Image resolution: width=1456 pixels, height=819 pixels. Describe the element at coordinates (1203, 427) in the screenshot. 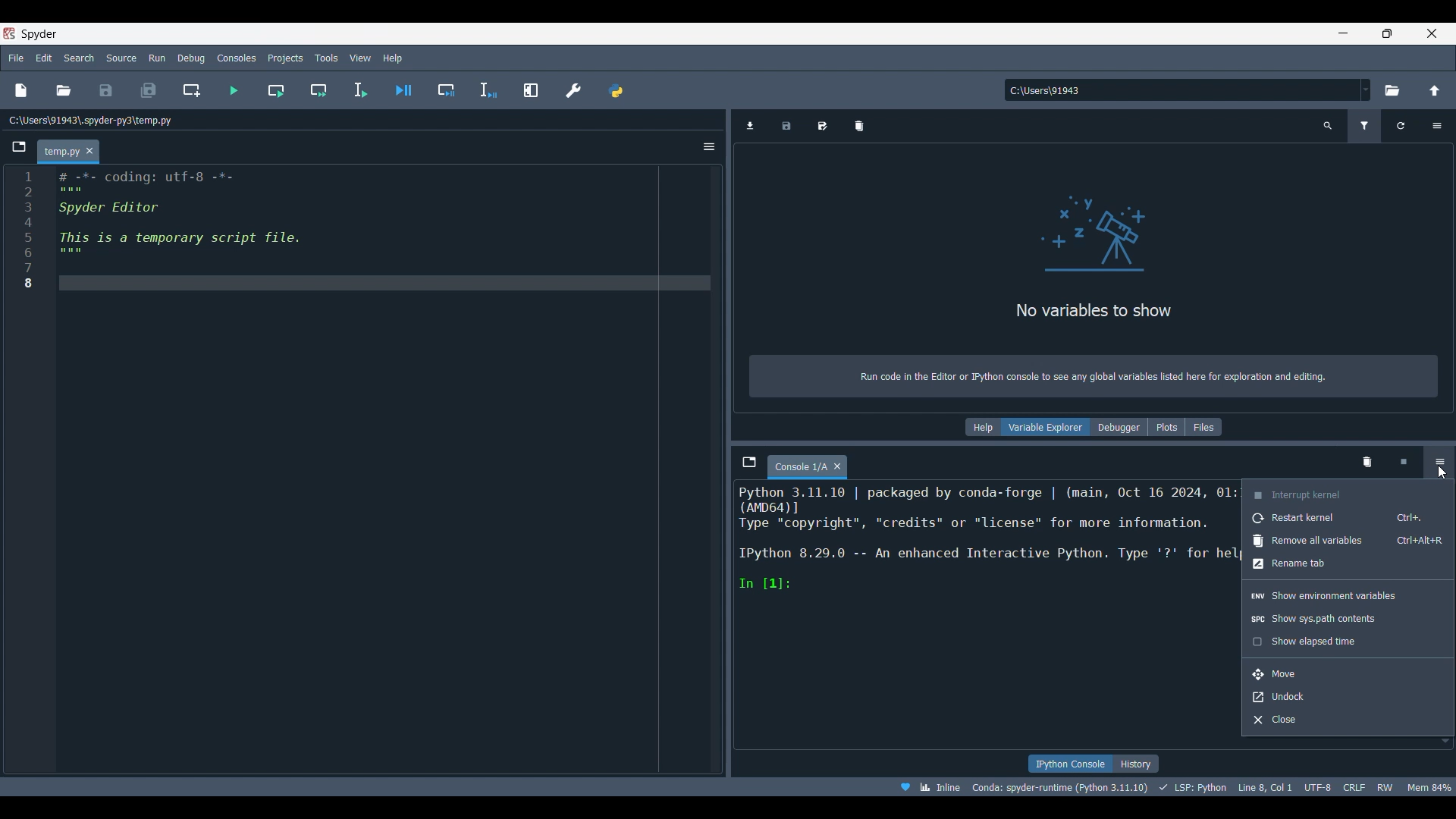

I see `Files` at that location.